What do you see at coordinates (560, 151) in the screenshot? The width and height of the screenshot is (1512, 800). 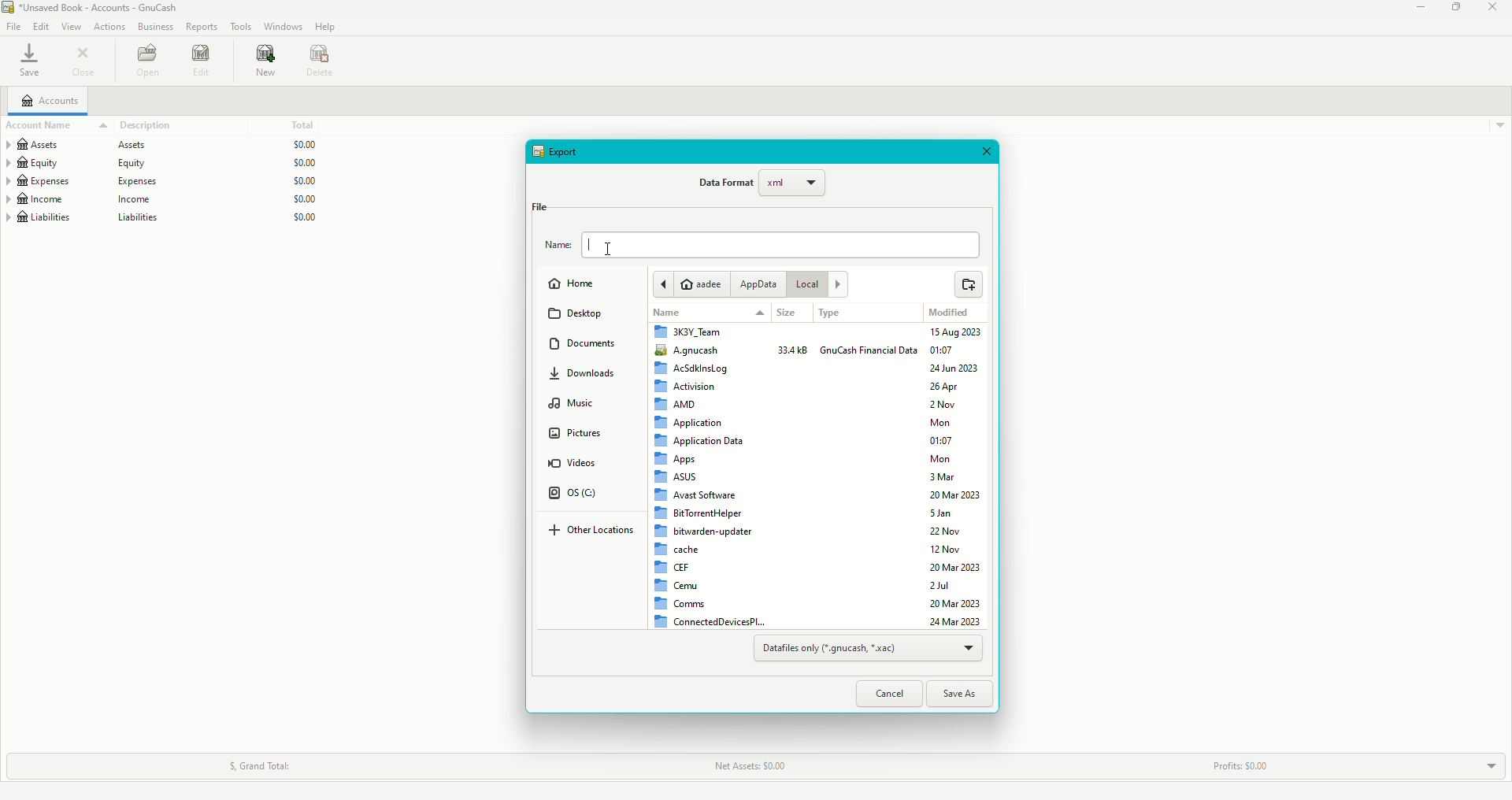 I see `Export` at bounding box center [560, 151].